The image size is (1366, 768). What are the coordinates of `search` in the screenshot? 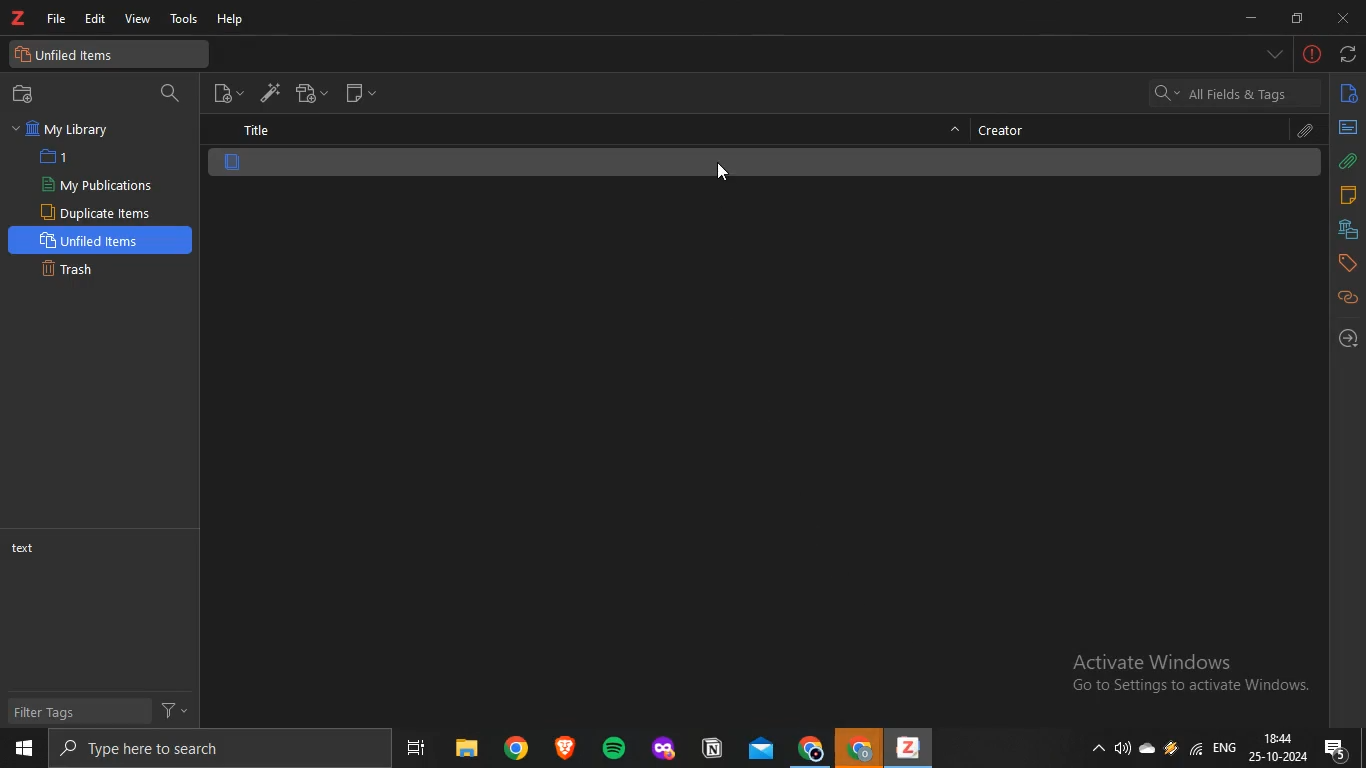 It's located at (211, 749).